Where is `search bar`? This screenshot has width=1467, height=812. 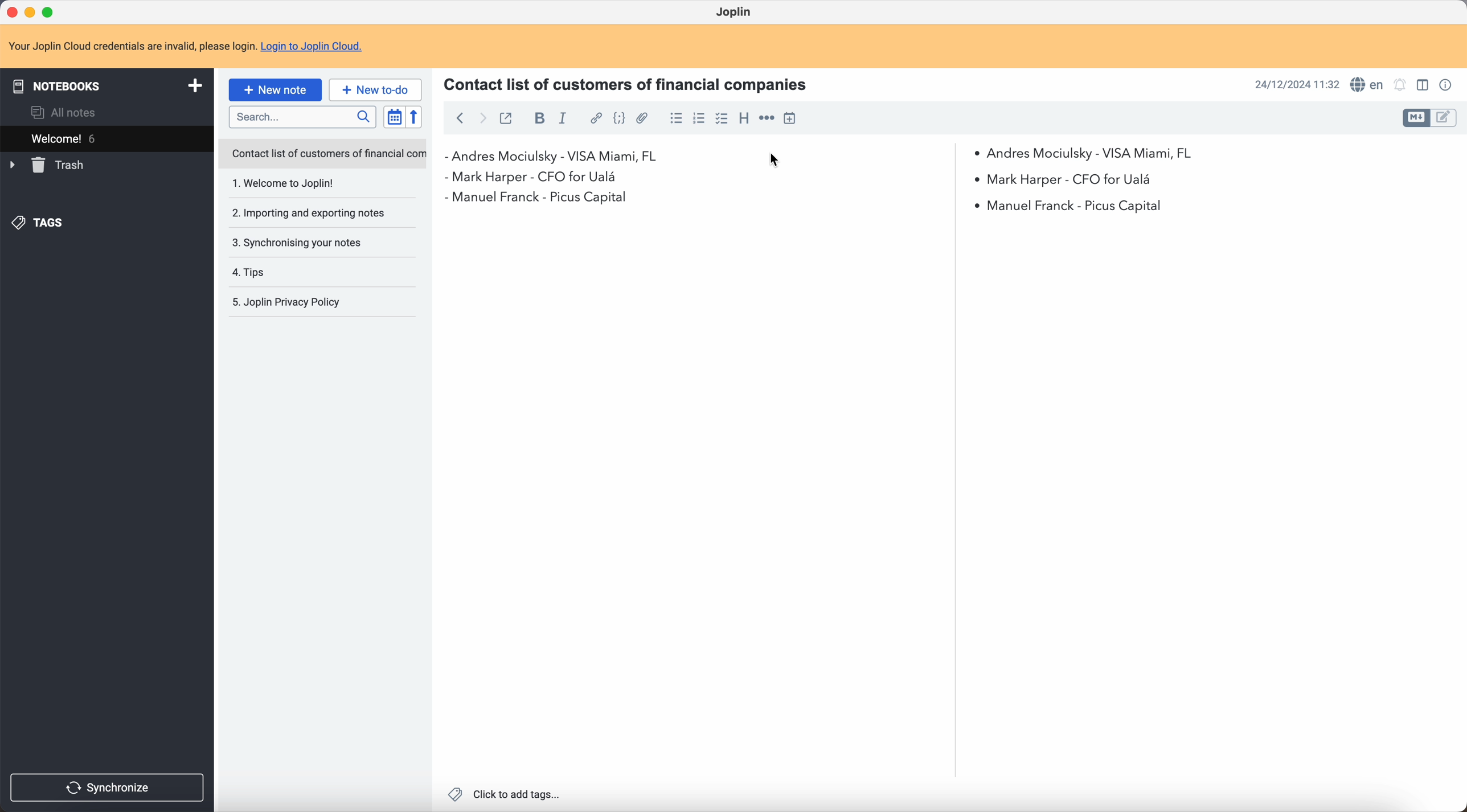 search bar is located at coordinates (305, 117).